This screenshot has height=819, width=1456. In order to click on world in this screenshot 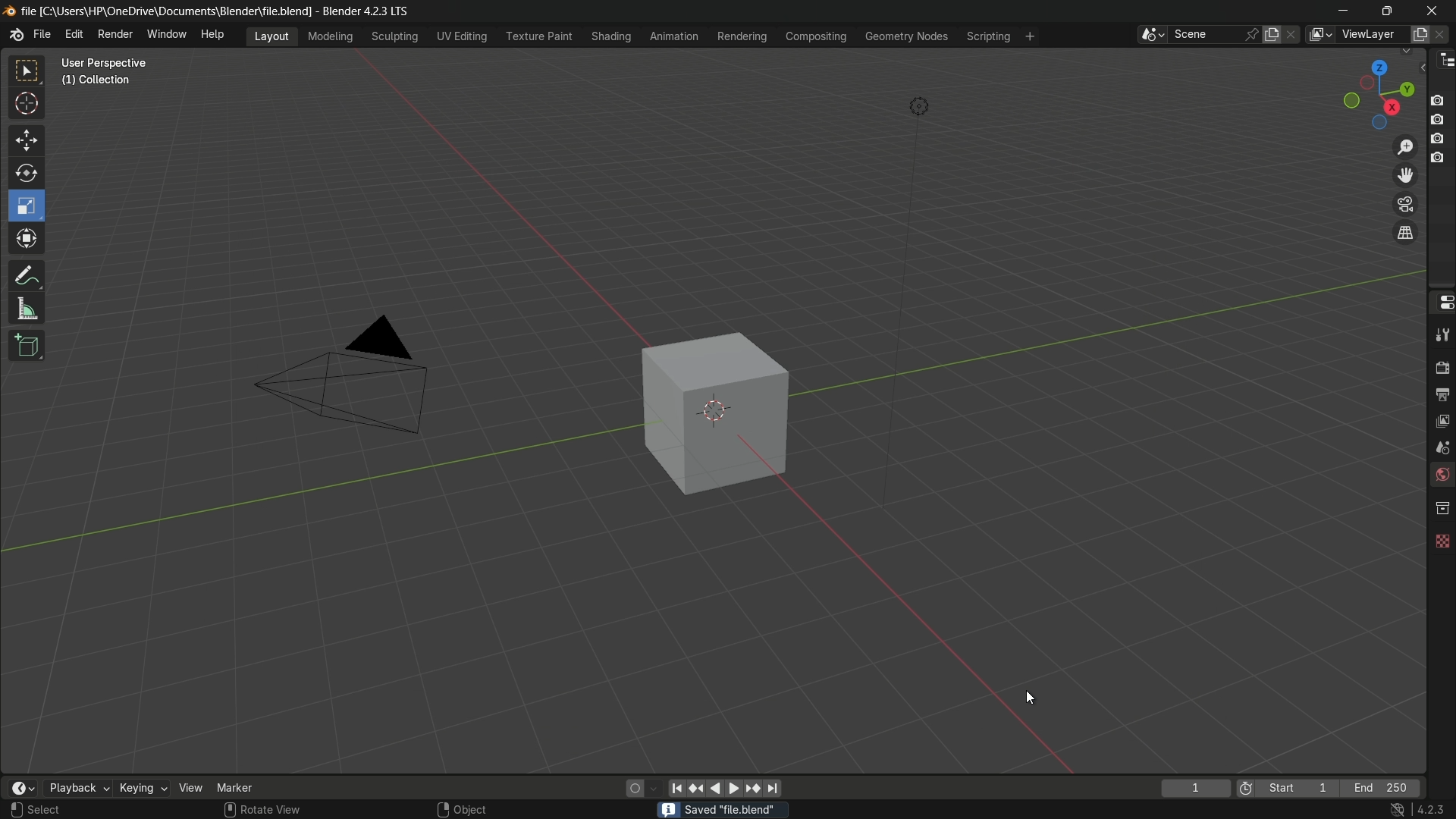, I will do `click(1441, 476)`.